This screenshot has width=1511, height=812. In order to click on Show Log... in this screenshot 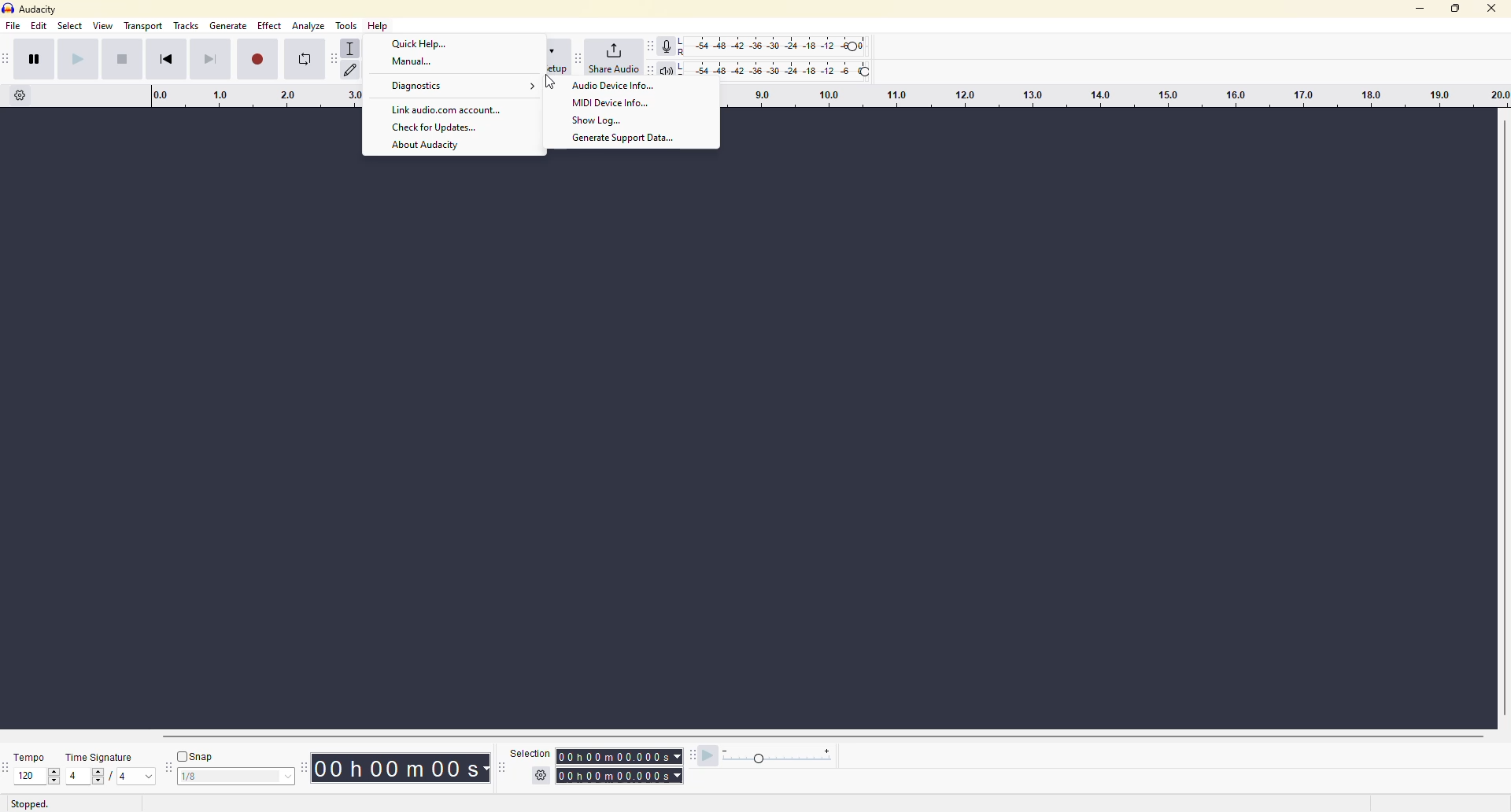, I will do `click(603, 120)`.